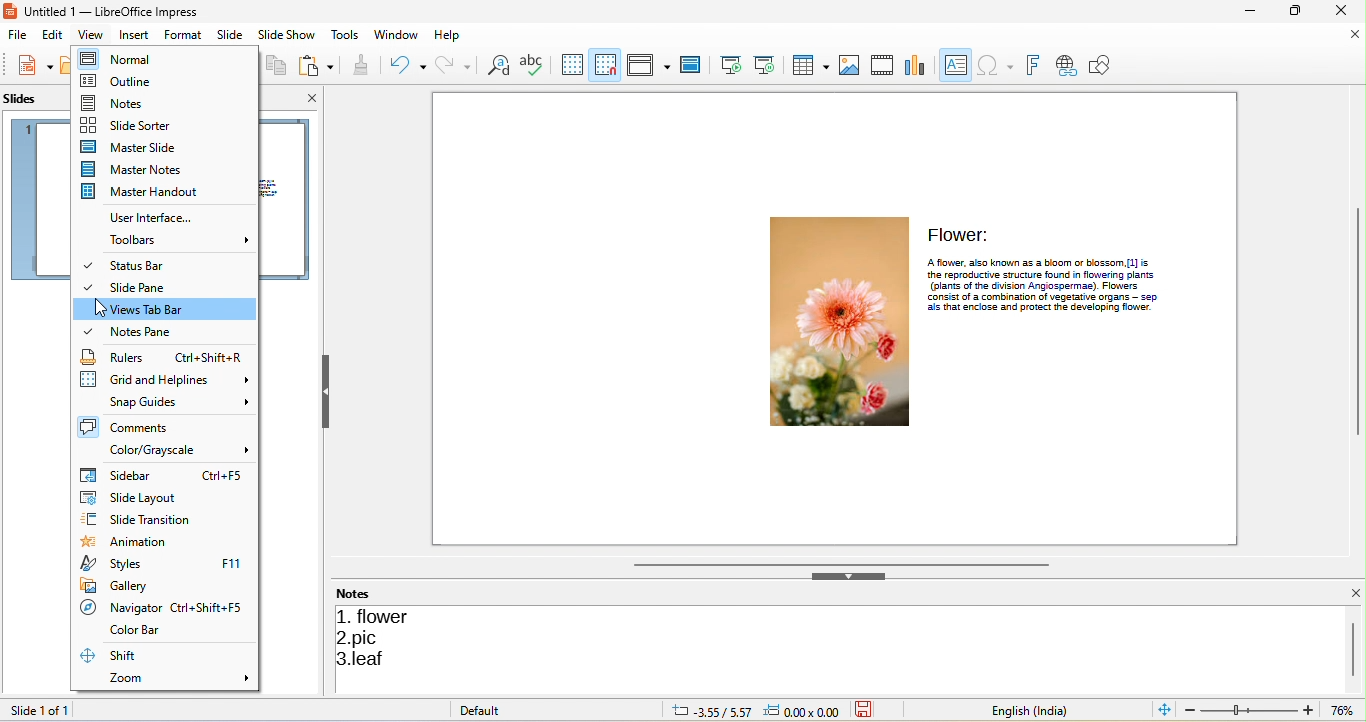 This screenshot has width=1366, height=722. What do you see at coordinates (179, 450) in the screenshot?
I see `color/grayscale` at bounding box center [179, 450].